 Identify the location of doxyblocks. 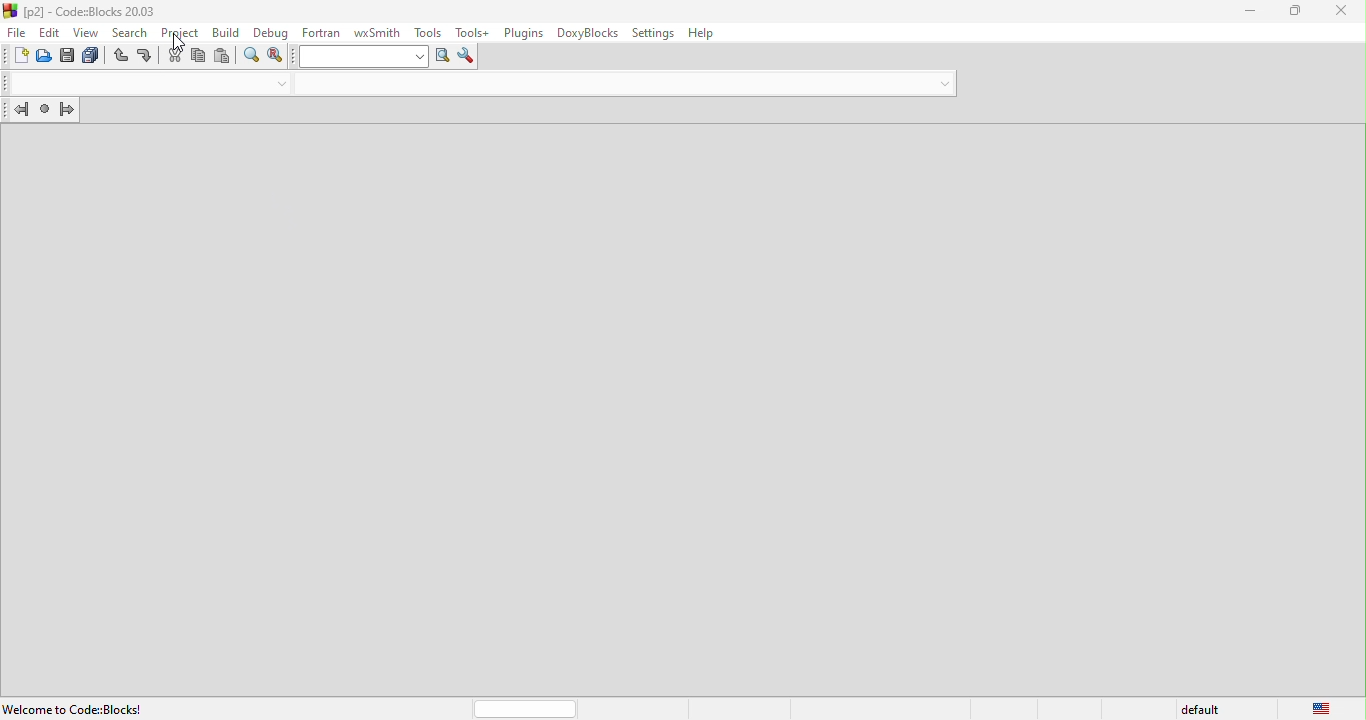
(584, 33).